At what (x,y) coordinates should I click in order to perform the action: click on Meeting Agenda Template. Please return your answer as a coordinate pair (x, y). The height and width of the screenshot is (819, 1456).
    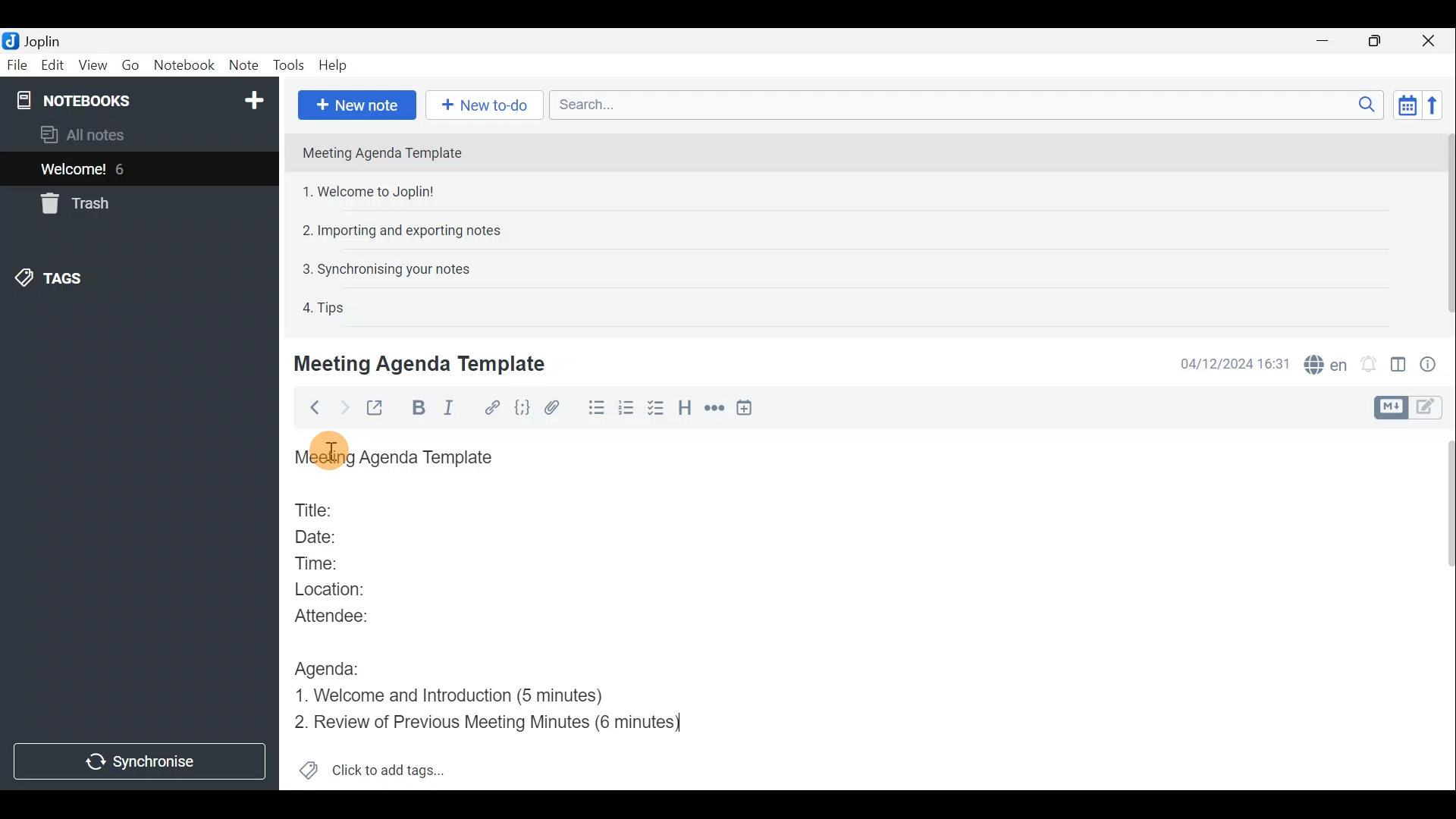
    Looking at the image, I should click on (398, 458).